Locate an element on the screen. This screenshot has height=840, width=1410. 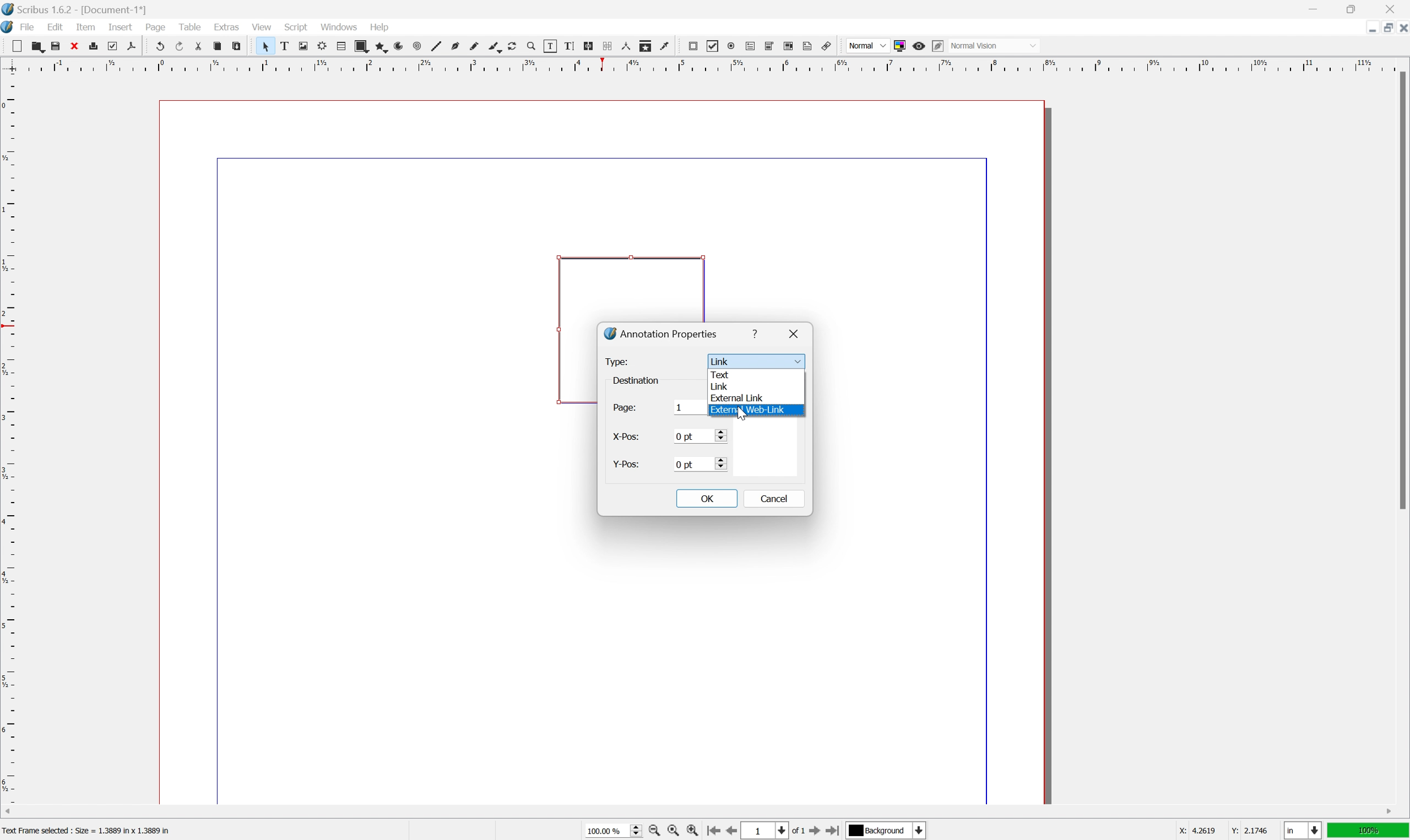
type: is located at coordinates (619, 362).